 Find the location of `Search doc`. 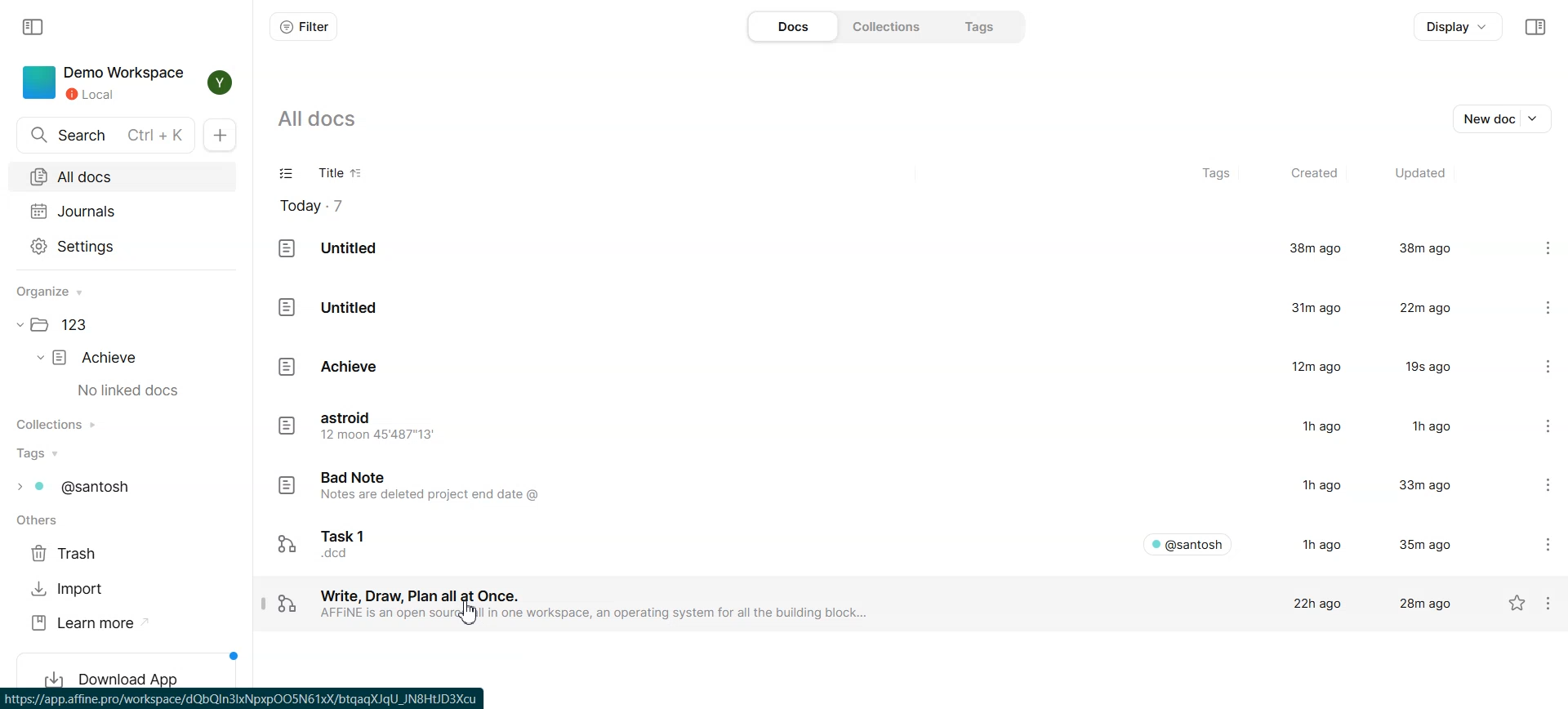

Search doc is located at coordinates (106, 136).